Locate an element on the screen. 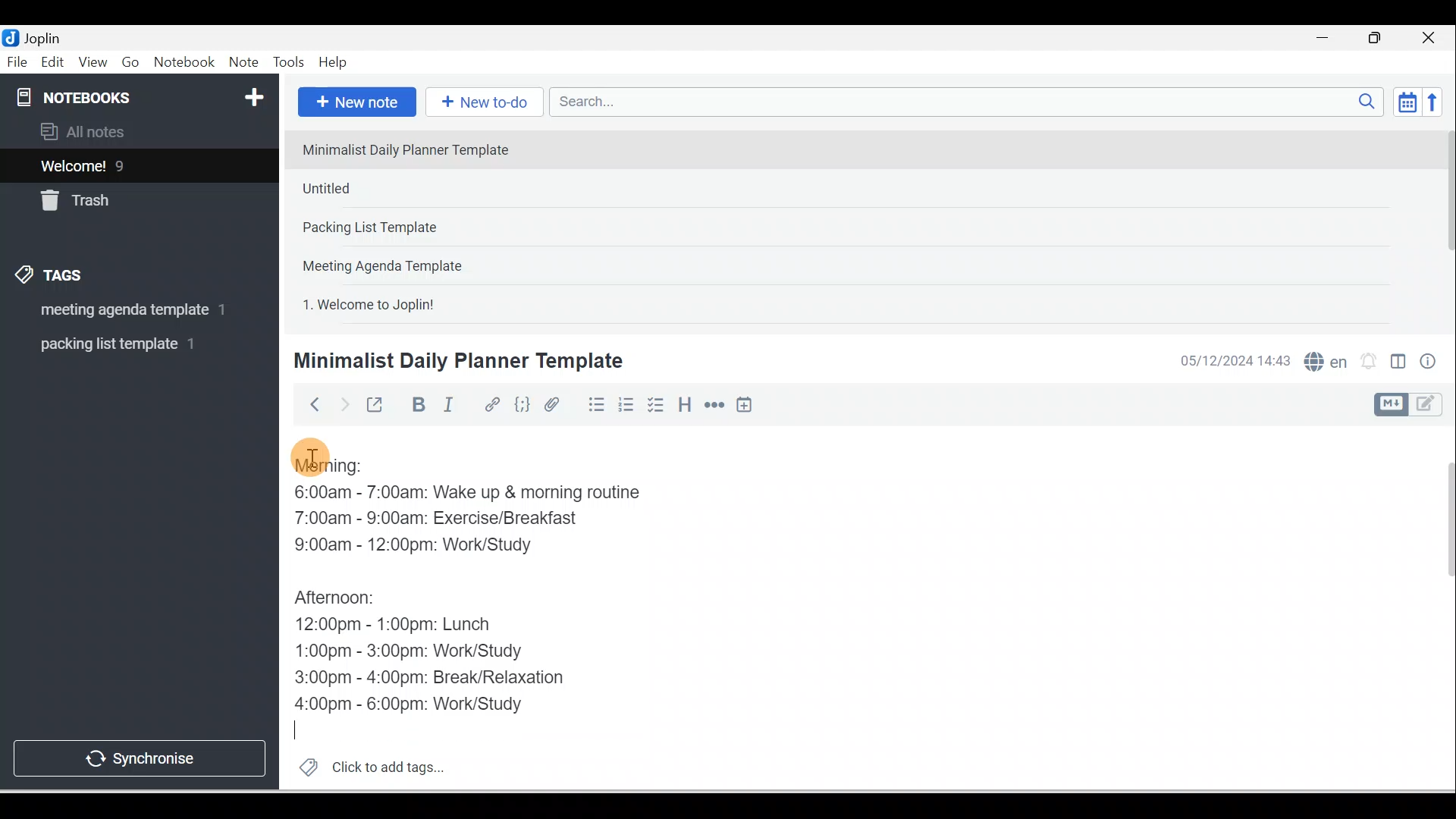  New note is located at coordinates (354, 103).